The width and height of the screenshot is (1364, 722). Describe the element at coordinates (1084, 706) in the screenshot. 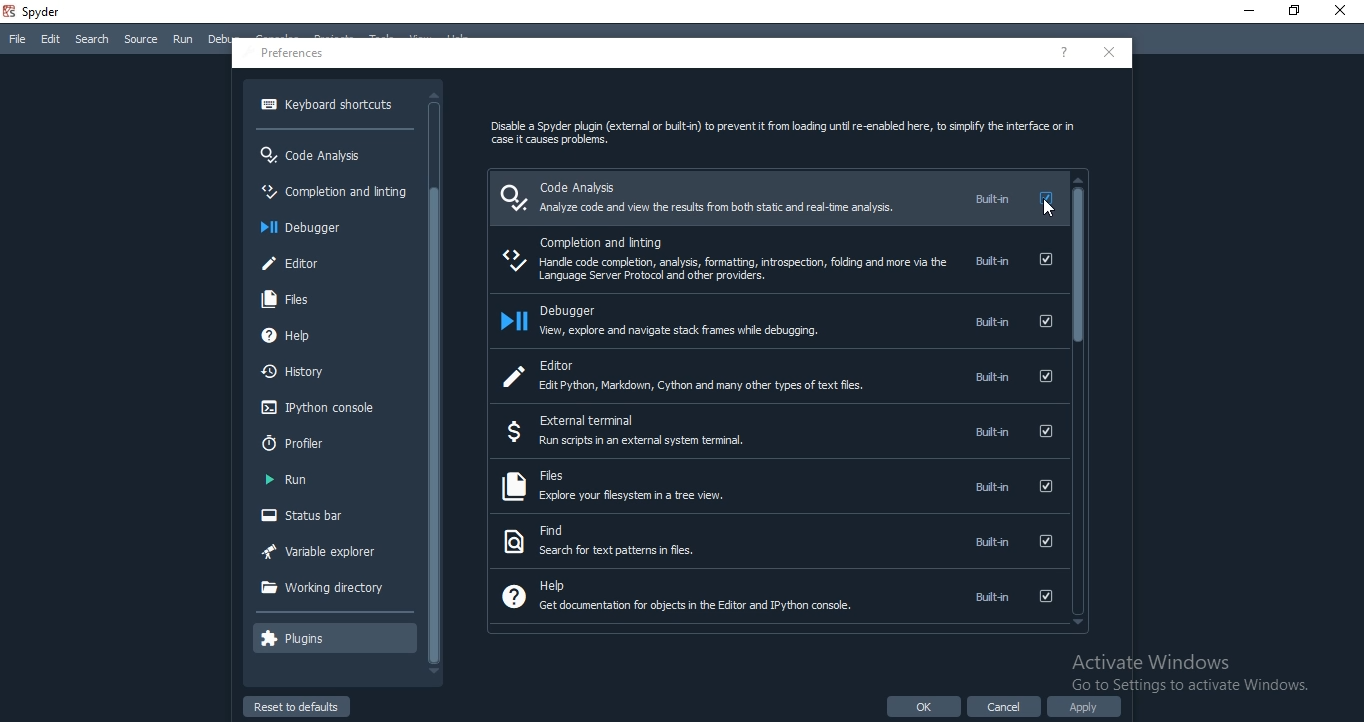

I see `apply` at that location.